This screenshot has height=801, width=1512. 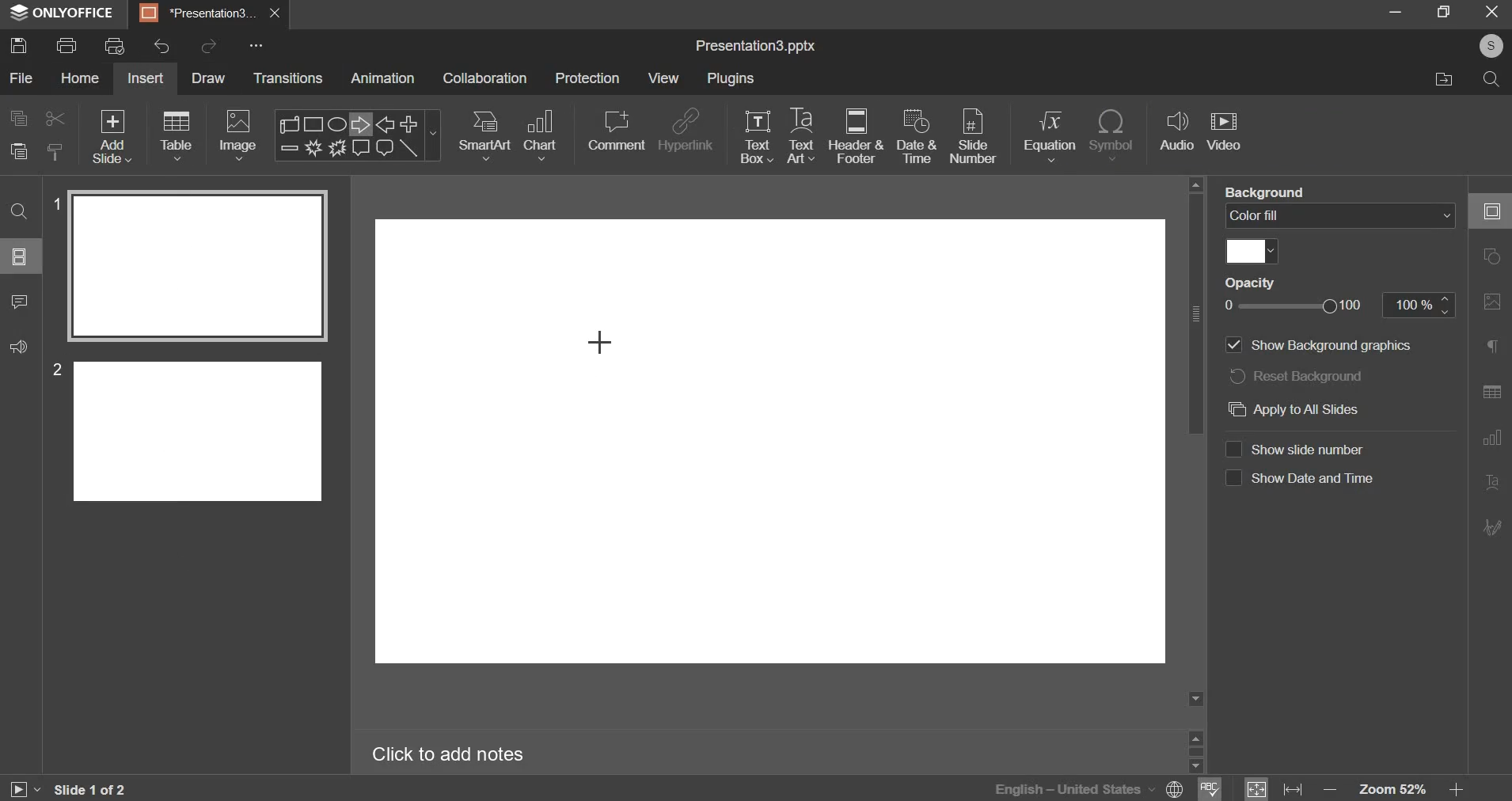 What do you see at coordinates (1195, 184) in the screenshot?
I see `Scroll up` at bounding box center [1195, 184].